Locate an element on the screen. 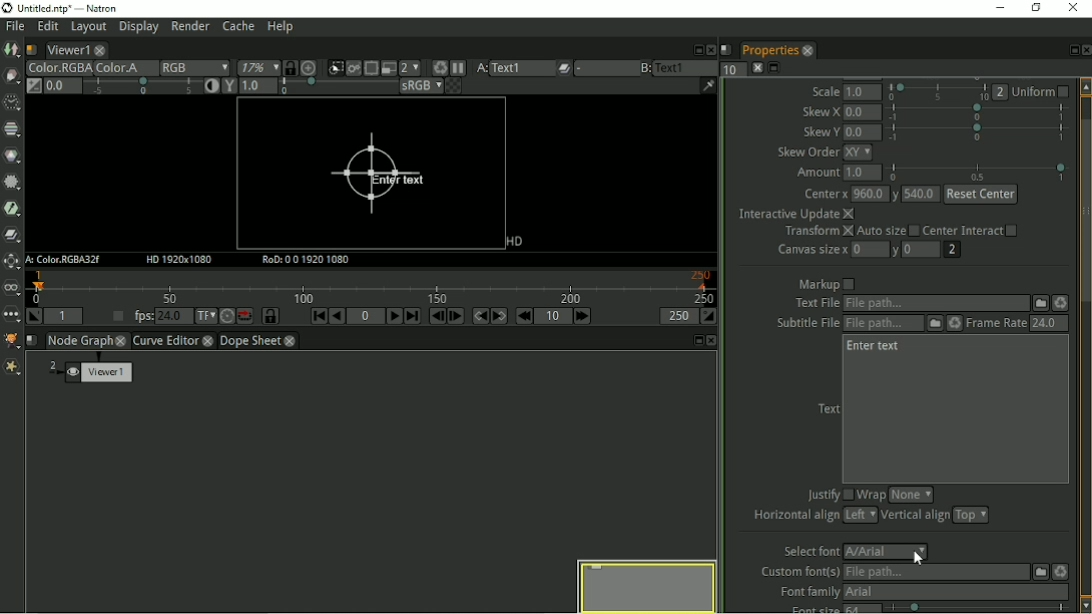 This screenshot has height=614, width=1092. Keyboard shortcut is located at coordinates (437, 67).